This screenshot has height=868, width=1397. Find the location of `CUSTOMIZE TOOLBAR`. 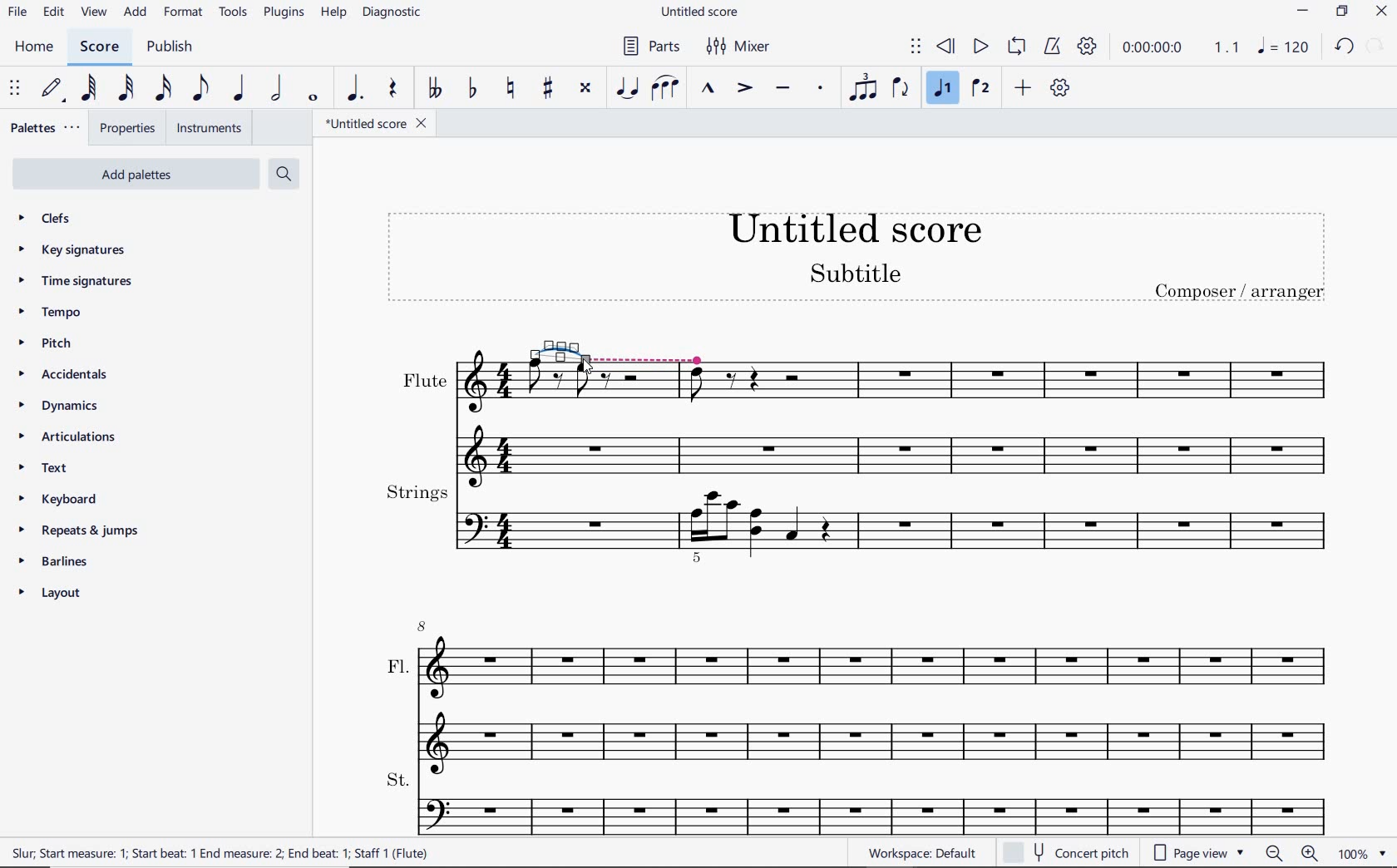

CUSTOMIZE TOOLBAR is located at coordinates (1060, 89).